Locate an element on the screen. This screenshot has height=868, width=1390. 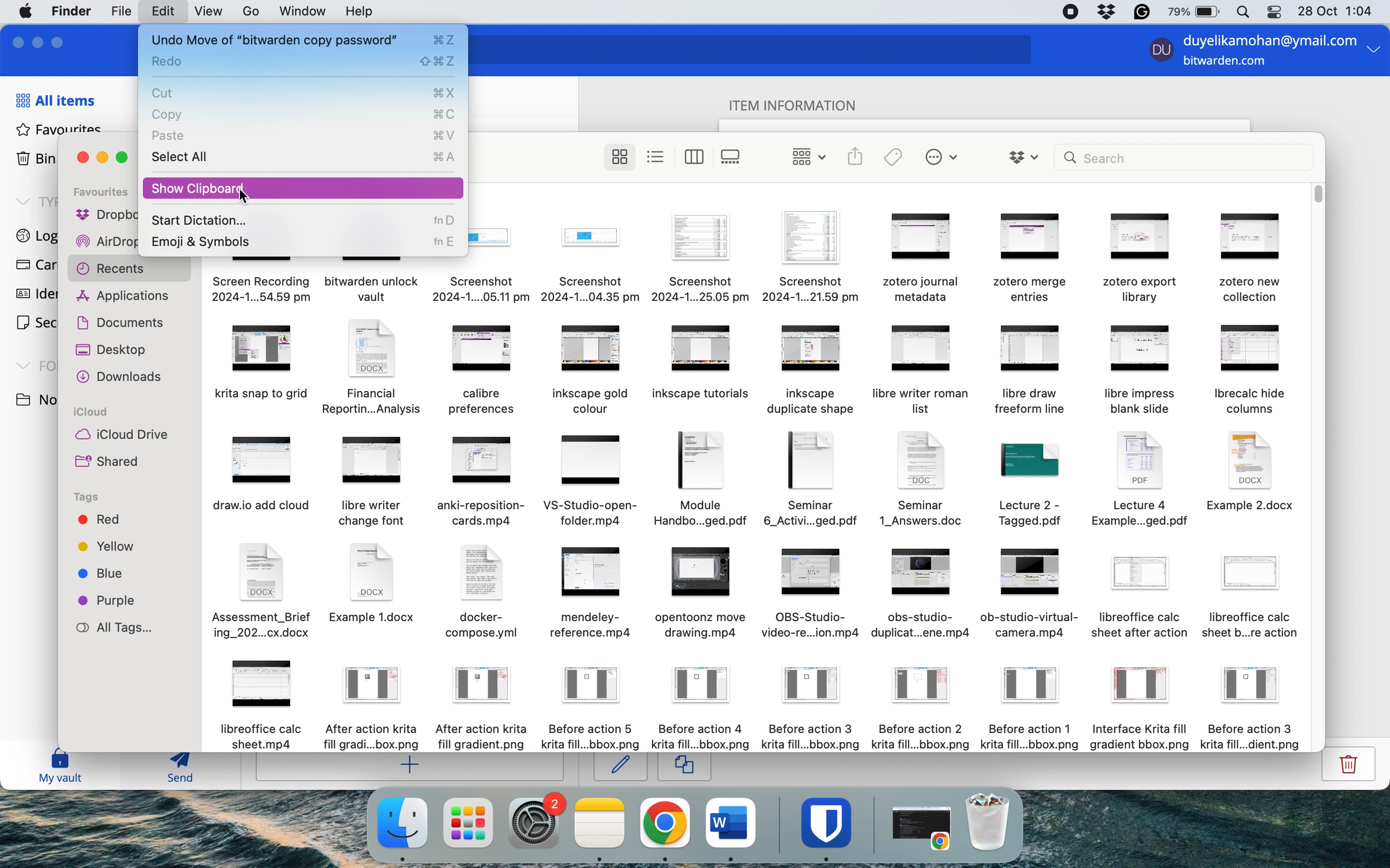
close is located at coordinates (83, 157).